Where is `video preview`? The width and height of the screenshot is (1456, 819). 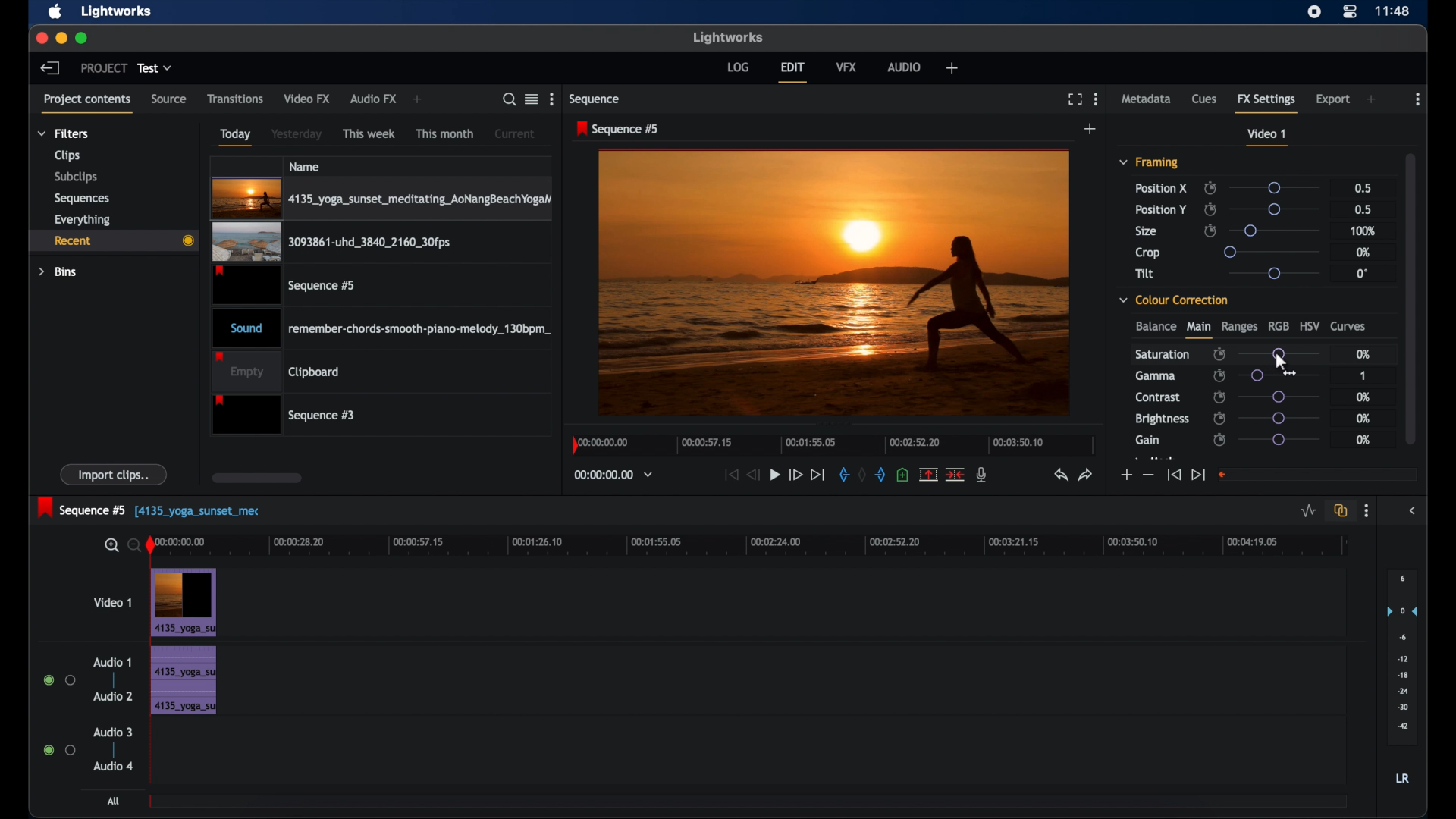
video preview is located at coordinates (834, 281).